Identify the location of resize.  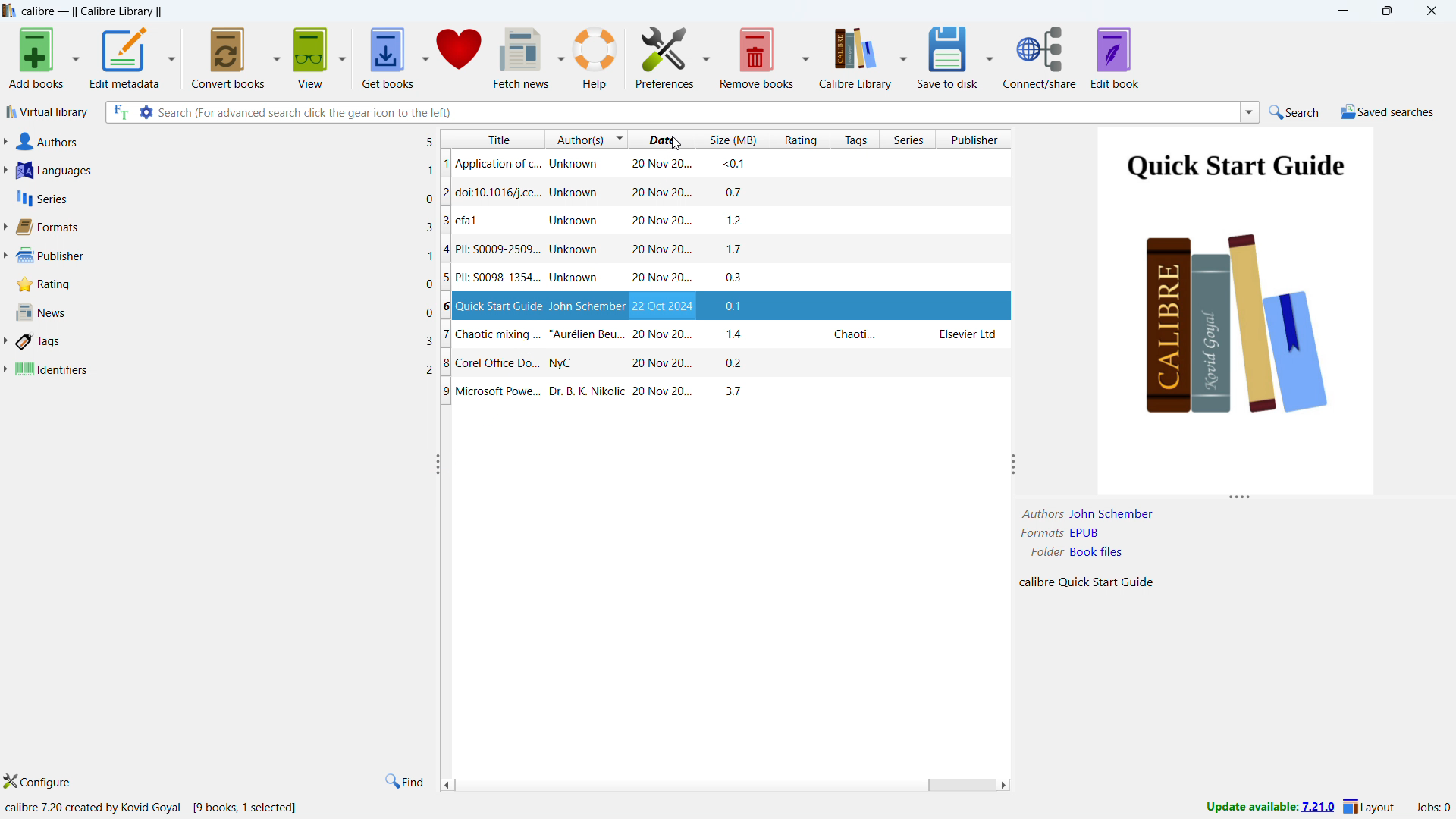
(1241, 498).